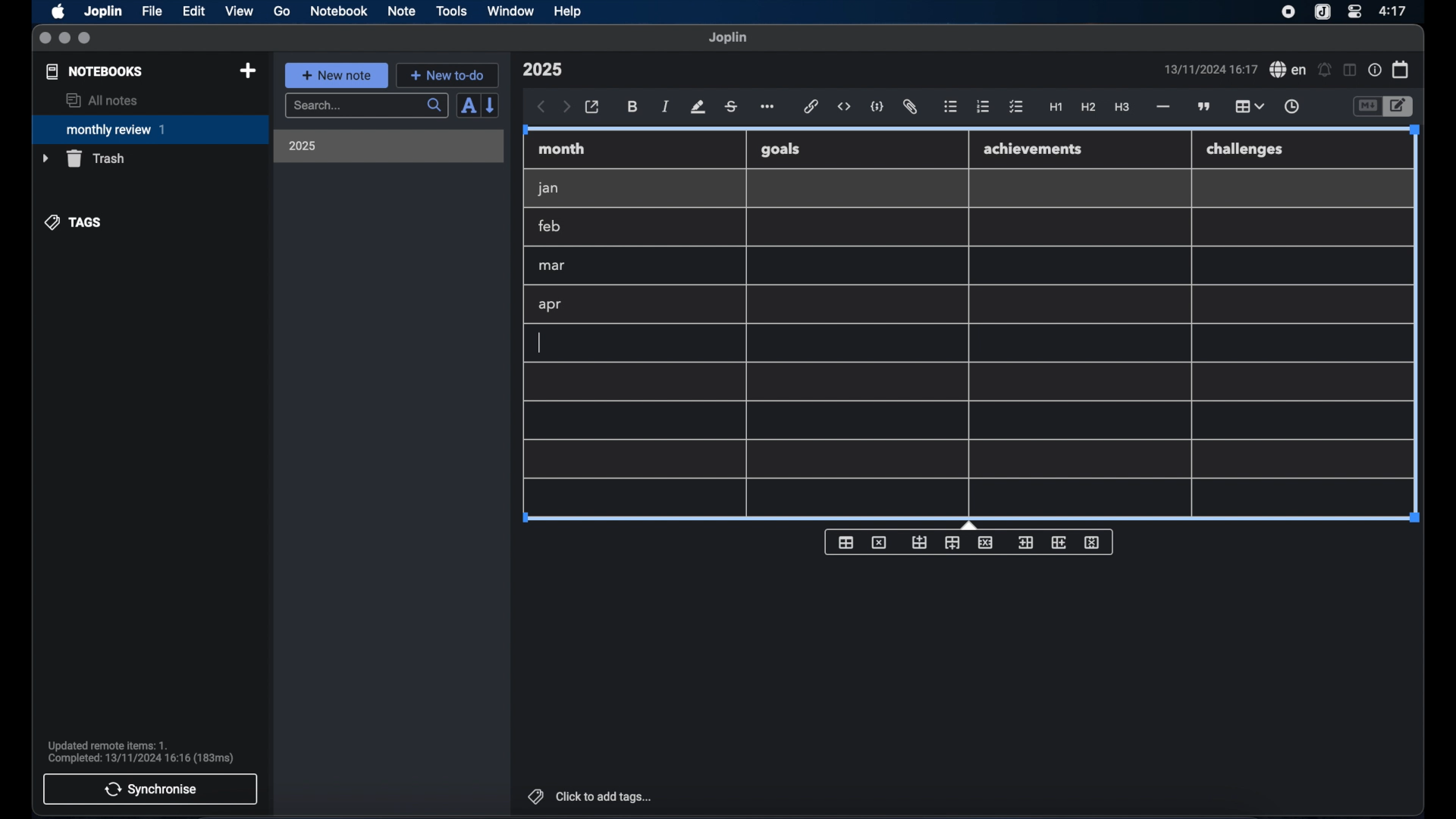 The image size is (1456, 819). Describe the element at coordinates (1089, 108) in the screenshot. I see `heading 2` at that location.